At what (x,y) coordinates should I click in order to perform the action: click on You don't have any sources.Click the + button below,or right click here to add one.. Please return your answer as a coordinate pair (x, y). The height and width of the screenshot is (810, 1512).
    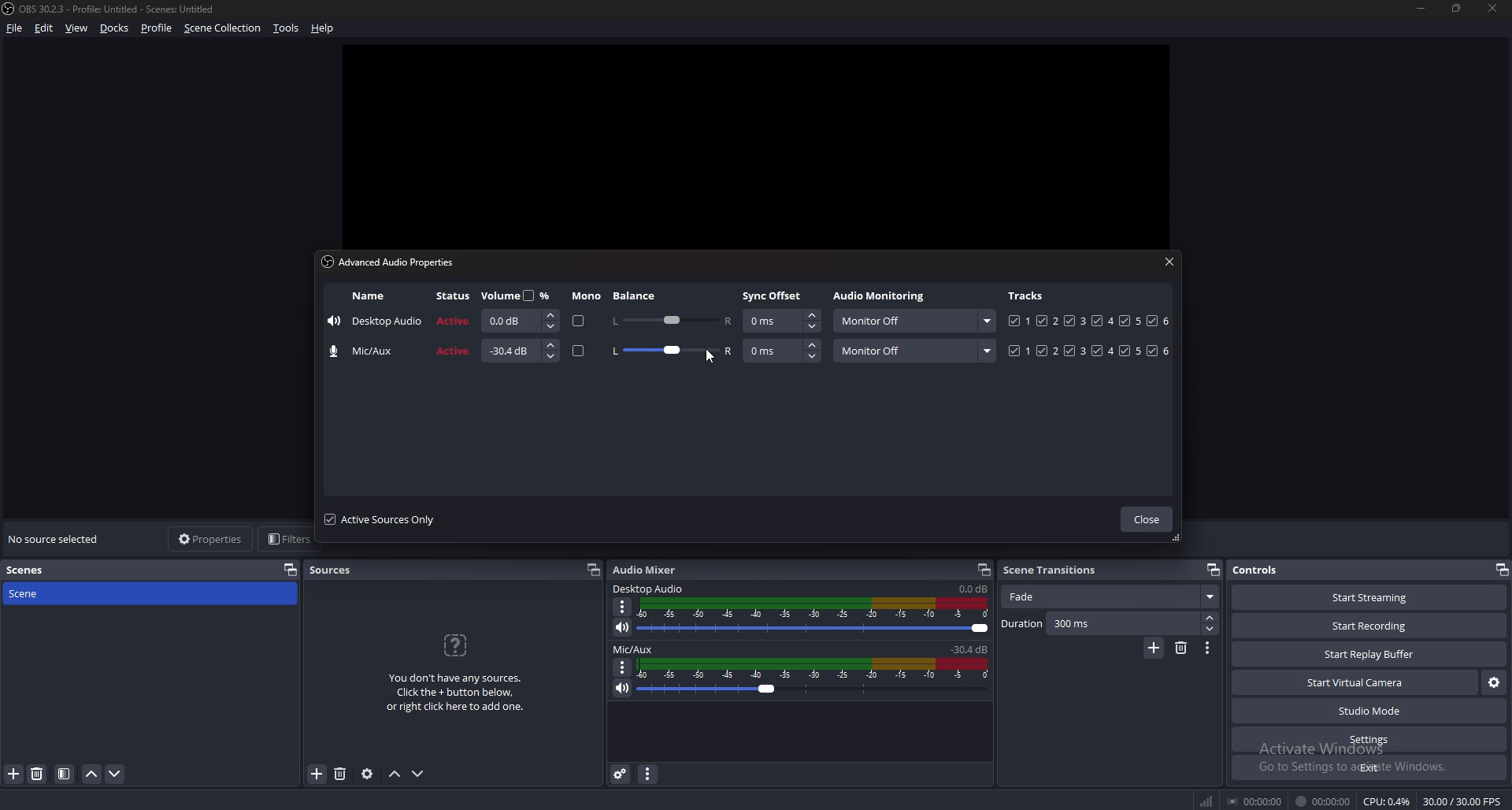
    Looking at the image, I should click on (454, 693).